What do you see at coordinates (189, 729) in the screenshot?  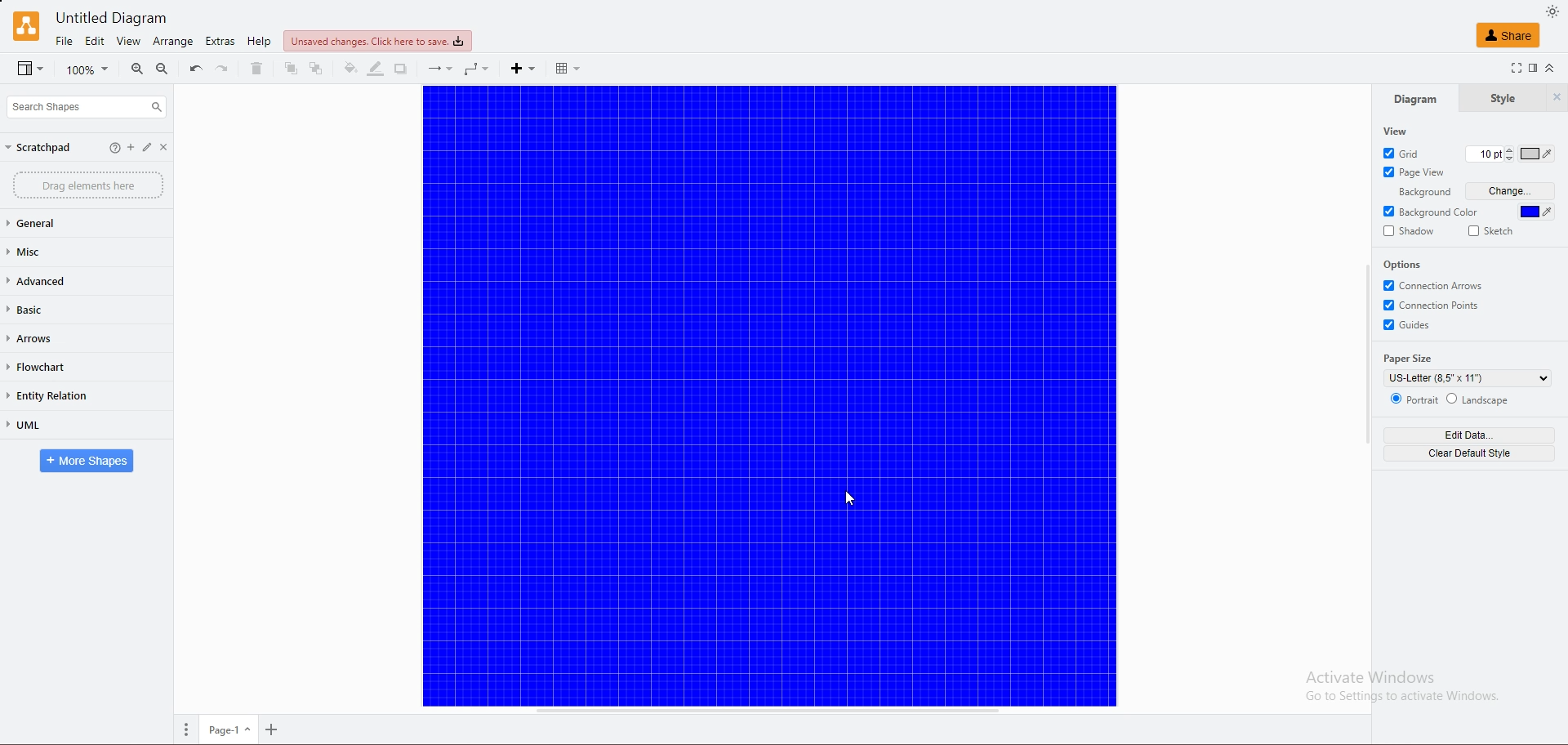 I see `more options` at bounding box center [189, 729].